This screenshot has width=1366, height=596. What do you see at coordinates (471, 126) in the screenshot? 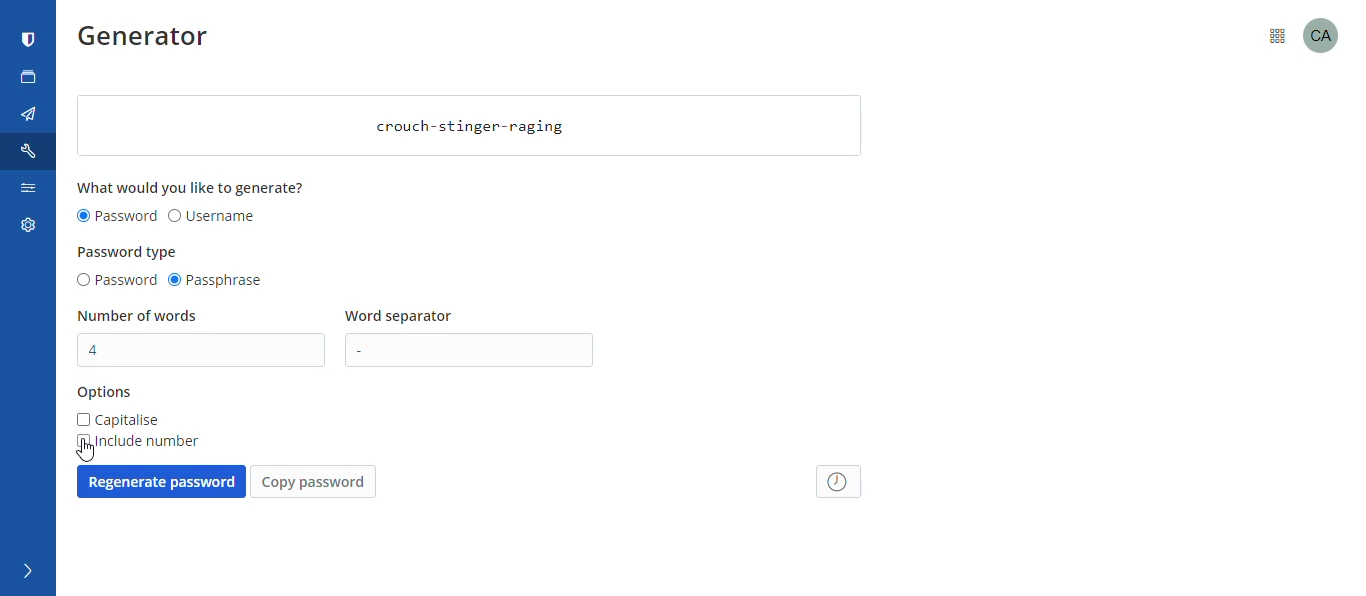
I see `crouch-stinger-raging` at bounding box center [471, 126].